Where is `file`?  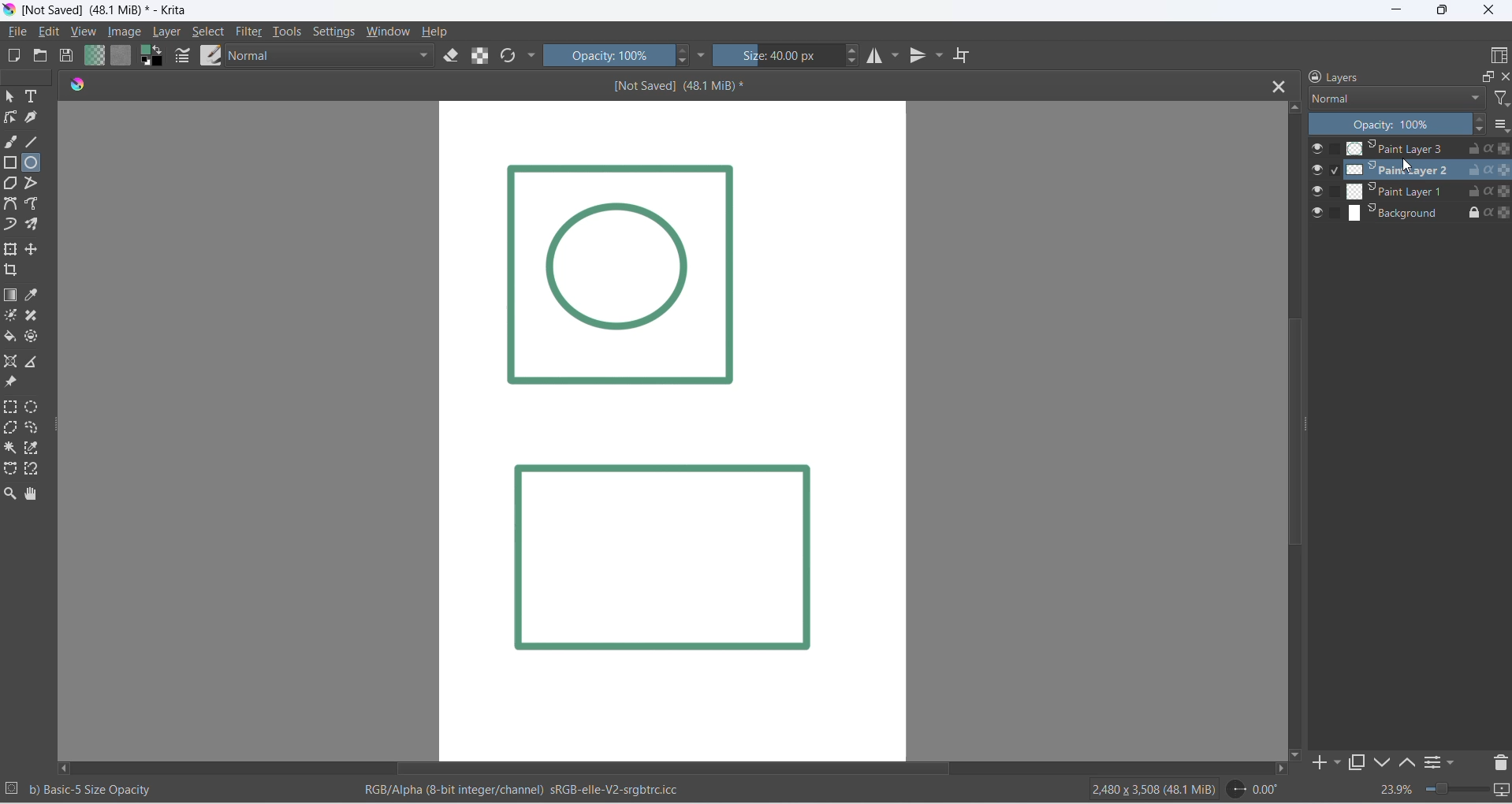 file is located at coordinates (18, 33).